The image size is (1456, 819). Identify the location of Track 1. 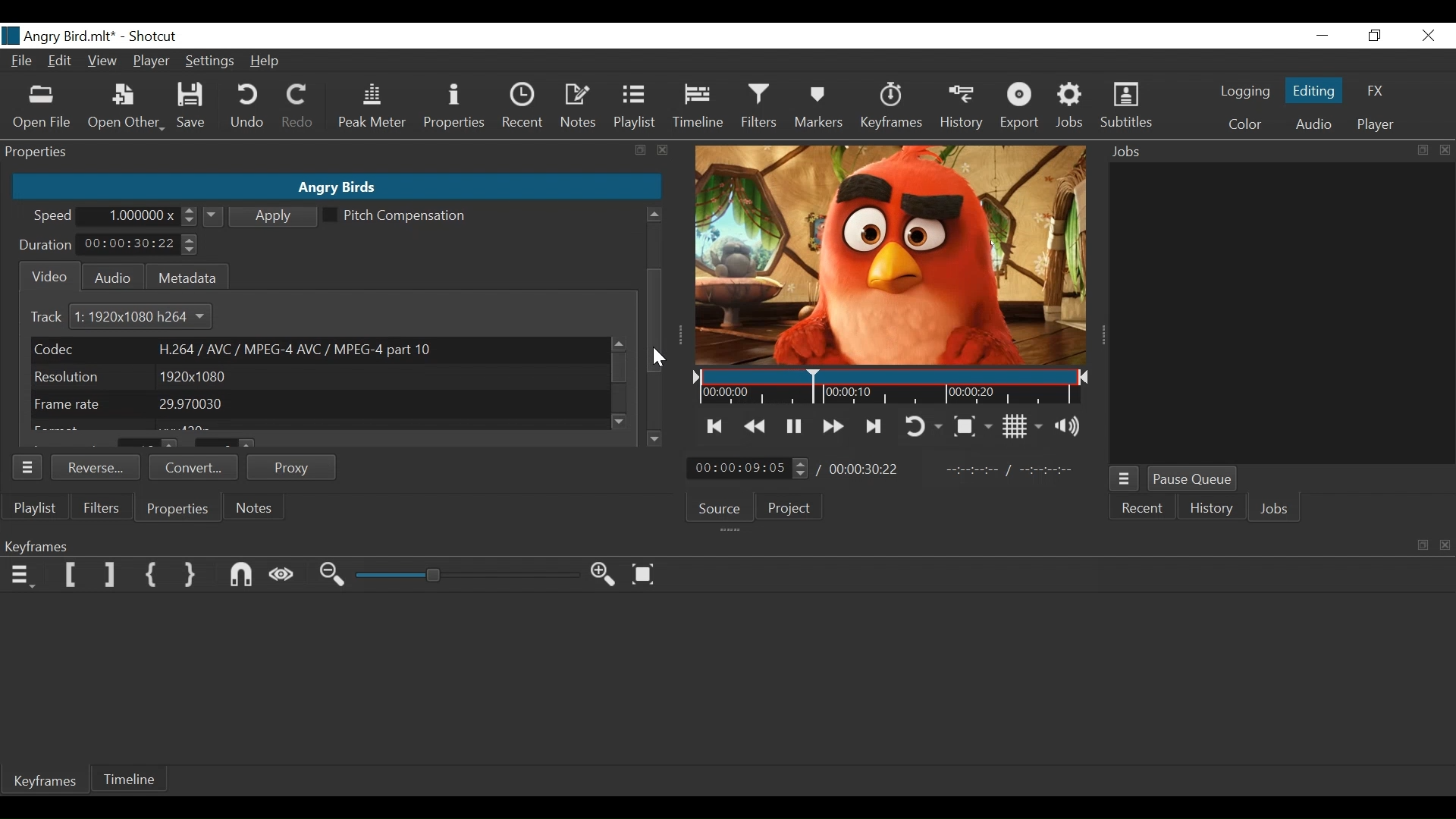
(56, 318).